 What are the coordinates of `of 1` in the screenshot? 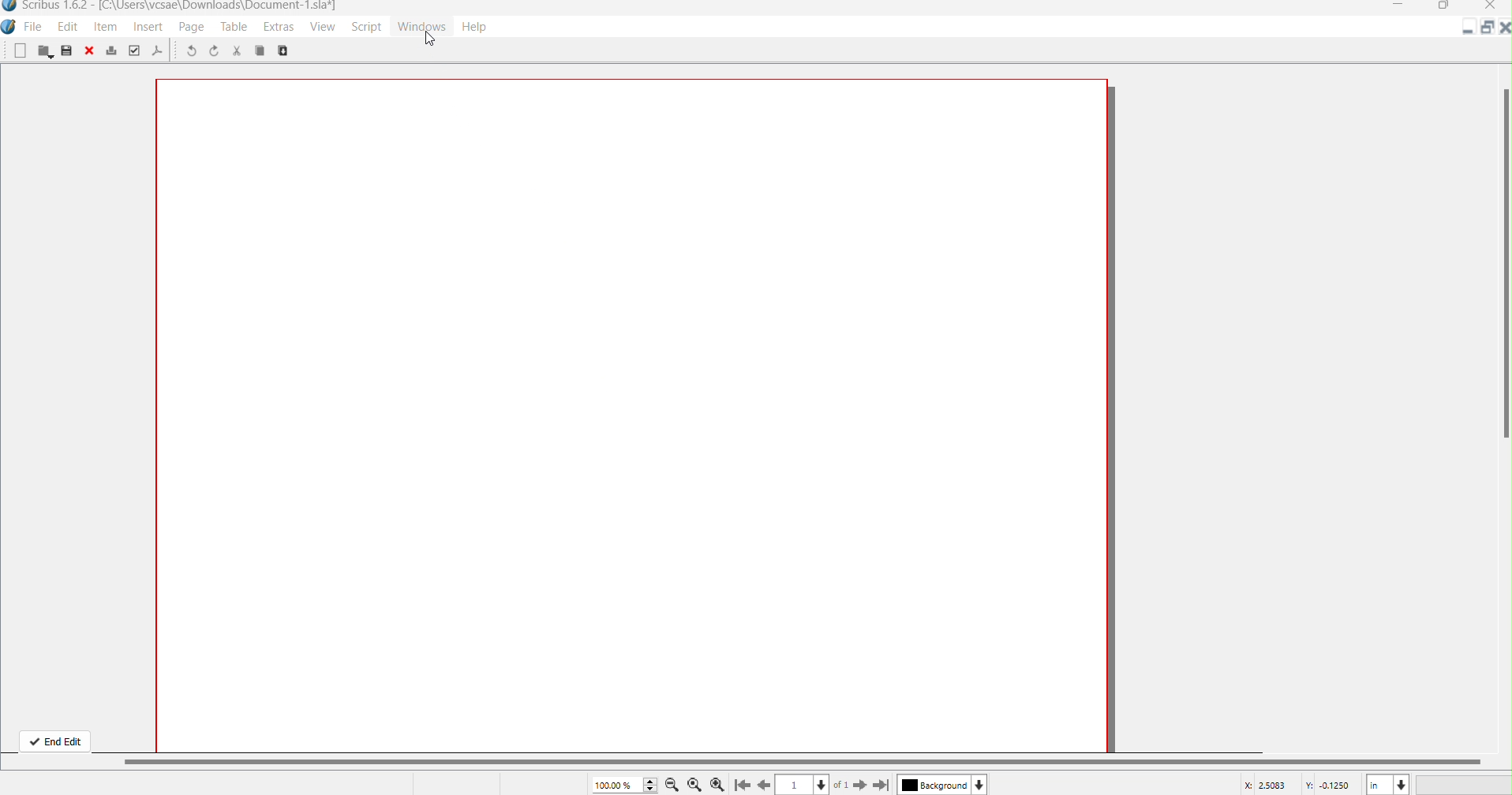 It's located at (843, 785).